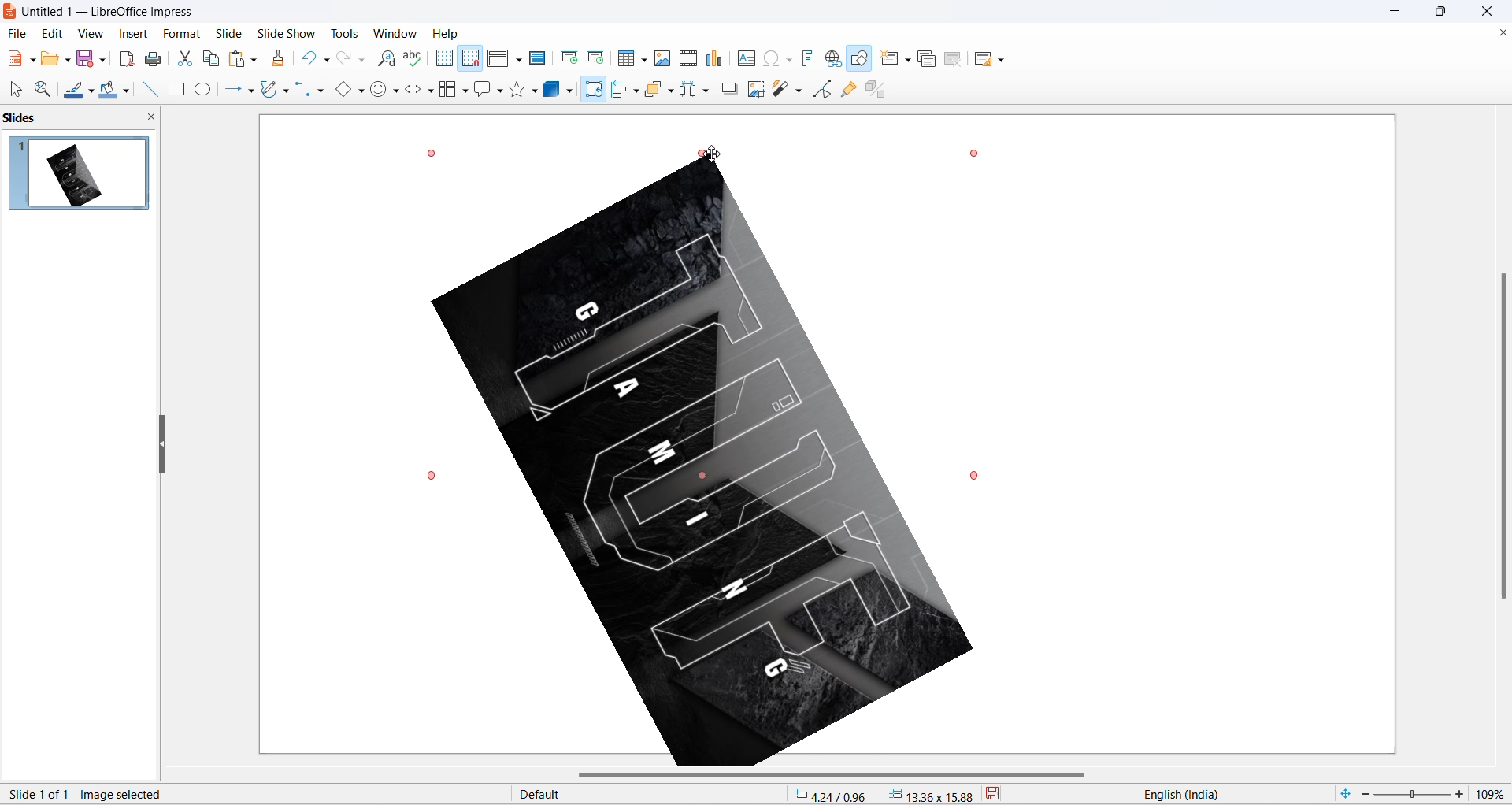 This screenshot has height=805, width=1512. What do you see at coordinates (431, 92) in the screenshot?
I see `block arrow options` at bounding box center [431, 92].